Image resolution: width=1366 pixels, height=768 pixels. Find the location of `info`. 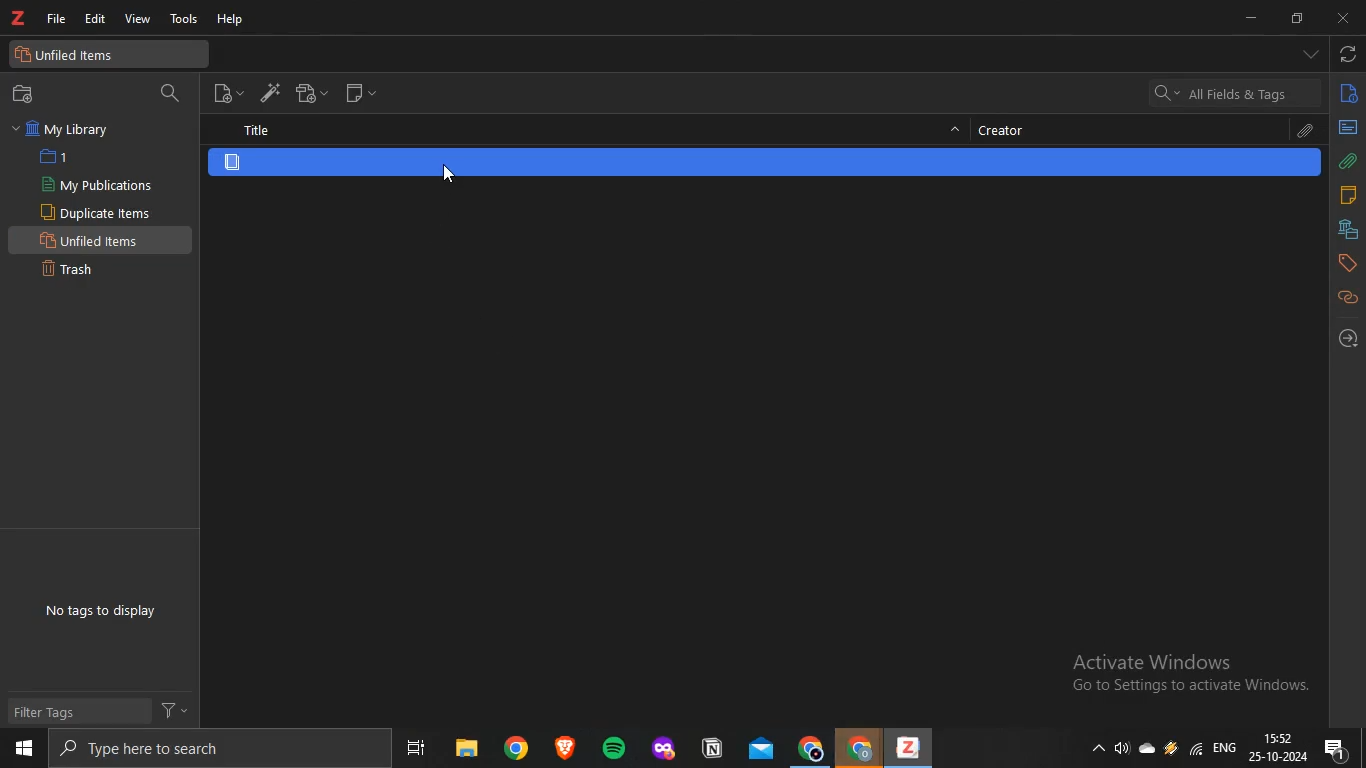

info is located at coordinates (1349, 97).